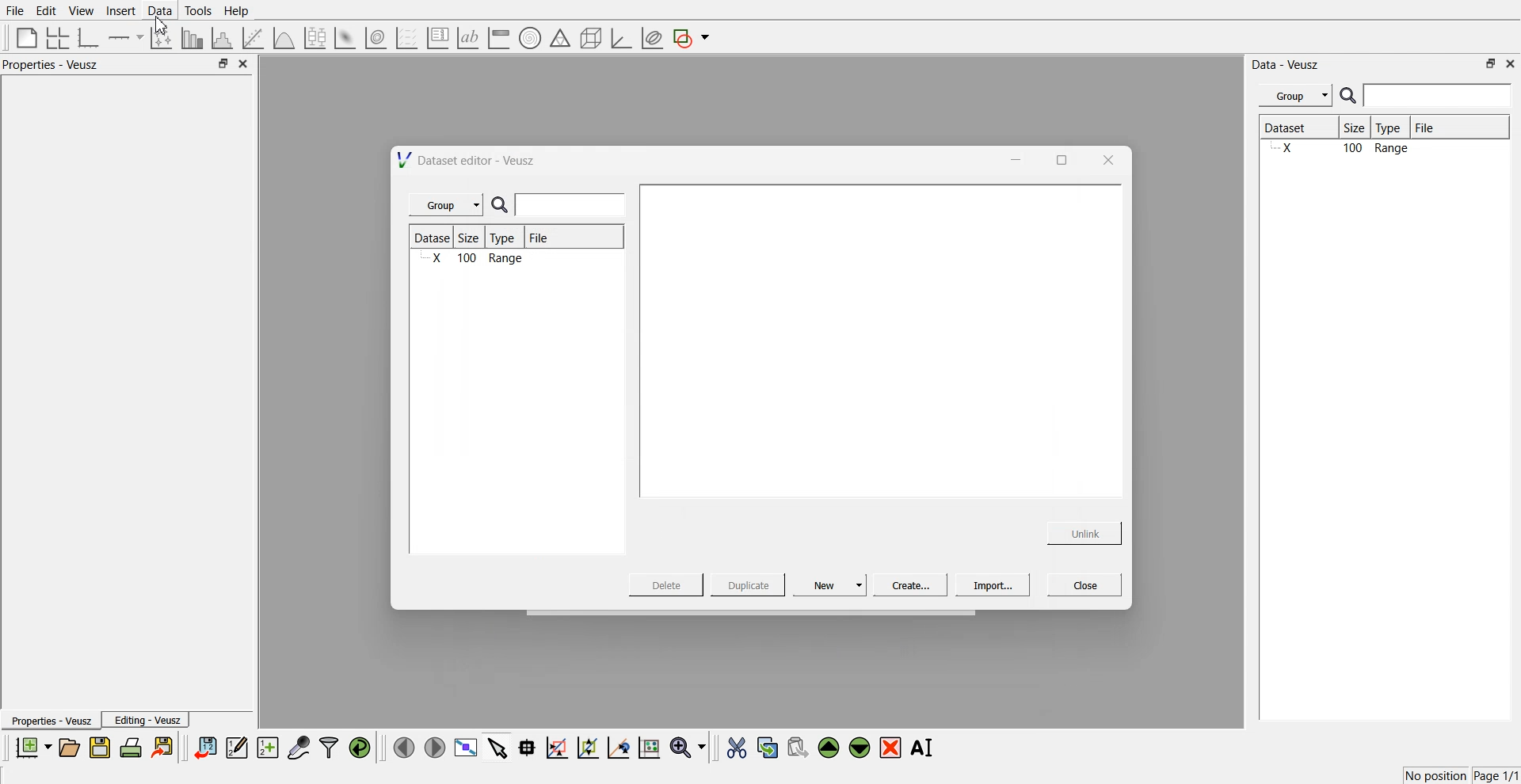 This screenshot has width=1521, height=784. Describe the element at coordinates (556, 746) in the screenshot. I see `draw a rectangle on zoom graph axes` at that location.